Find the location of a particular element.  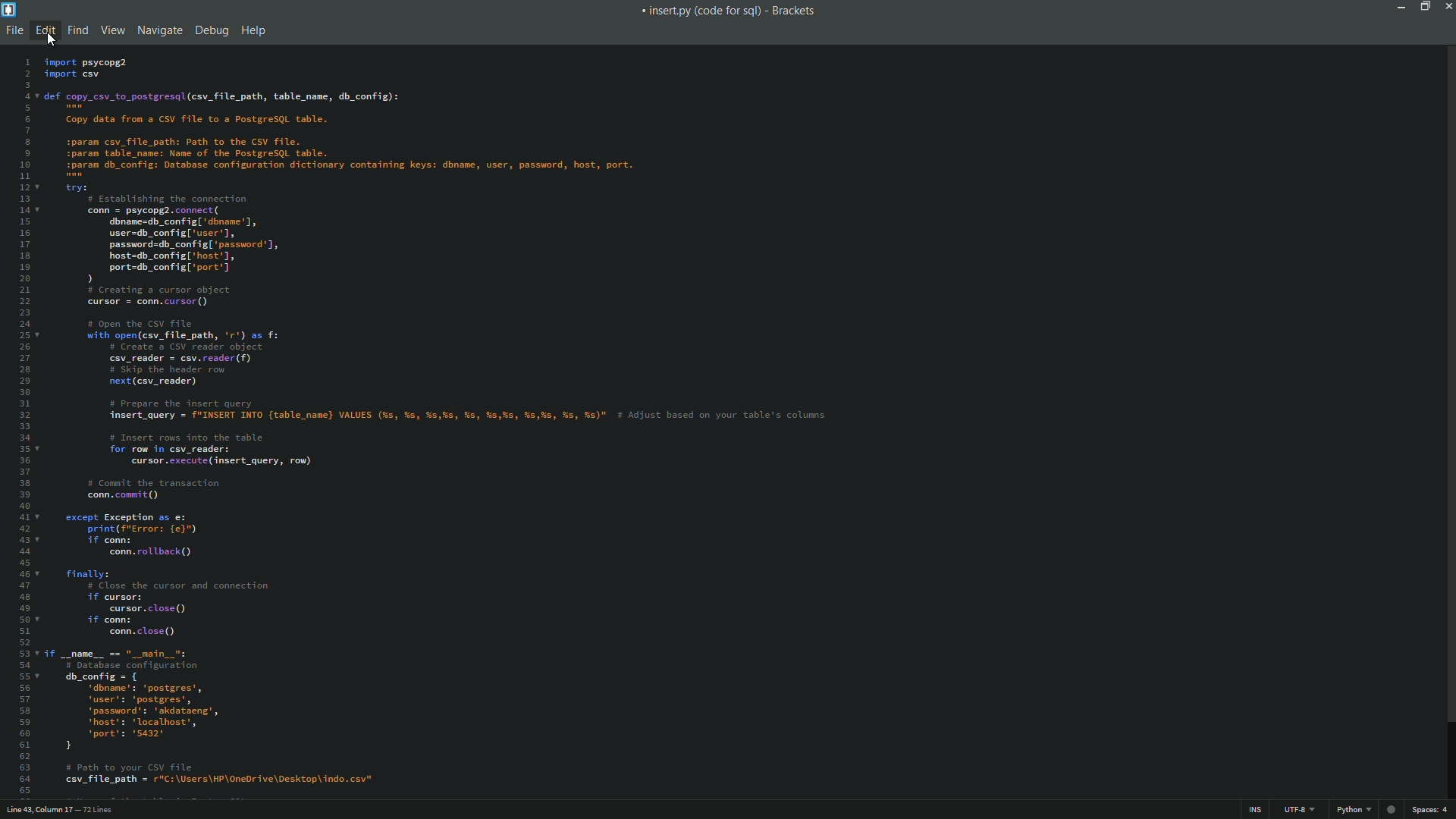

number of lines is located at coordinates (98, 811).